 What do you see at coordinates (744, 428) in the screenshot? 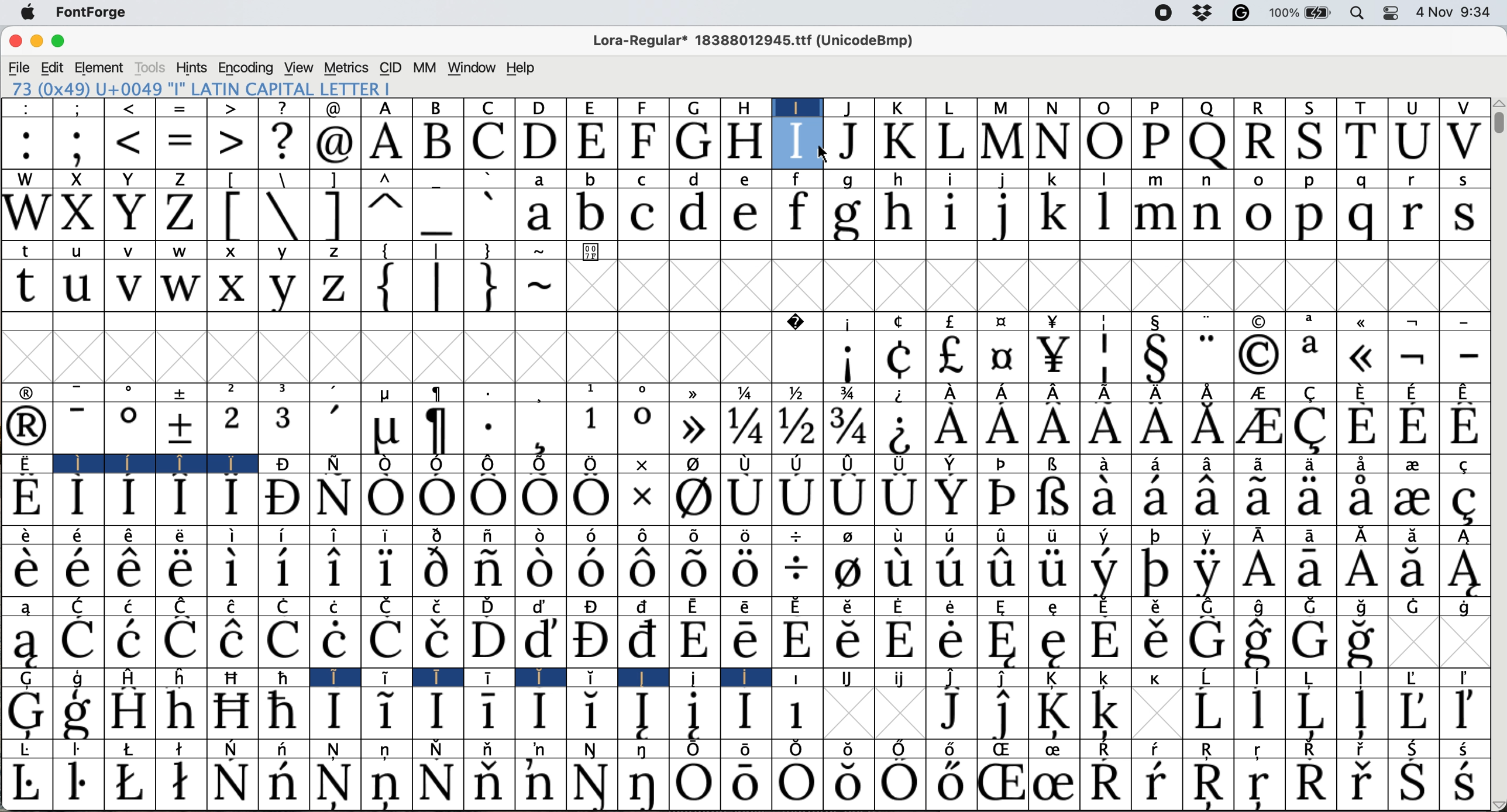
I see `Symbol` at bounding box center [744, 428].